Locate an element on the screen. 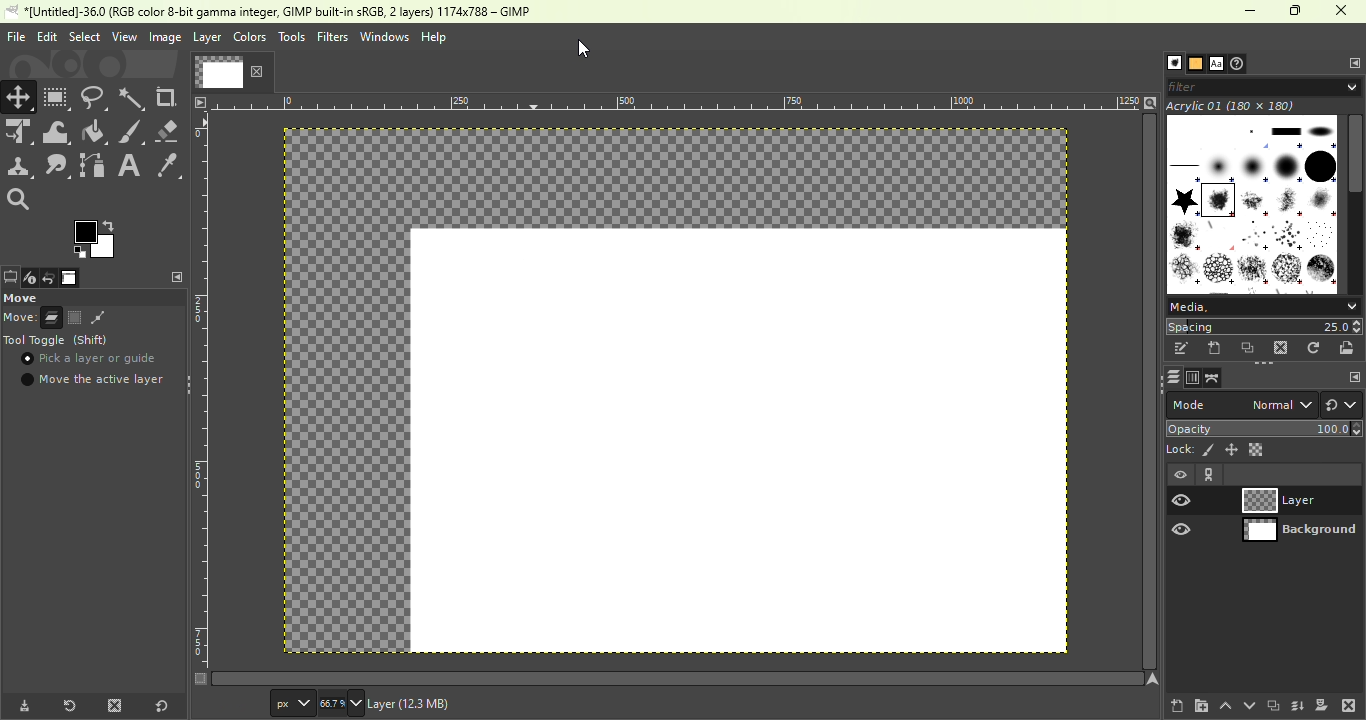  Lock alpha channel is located at coordinates (1257, 449).